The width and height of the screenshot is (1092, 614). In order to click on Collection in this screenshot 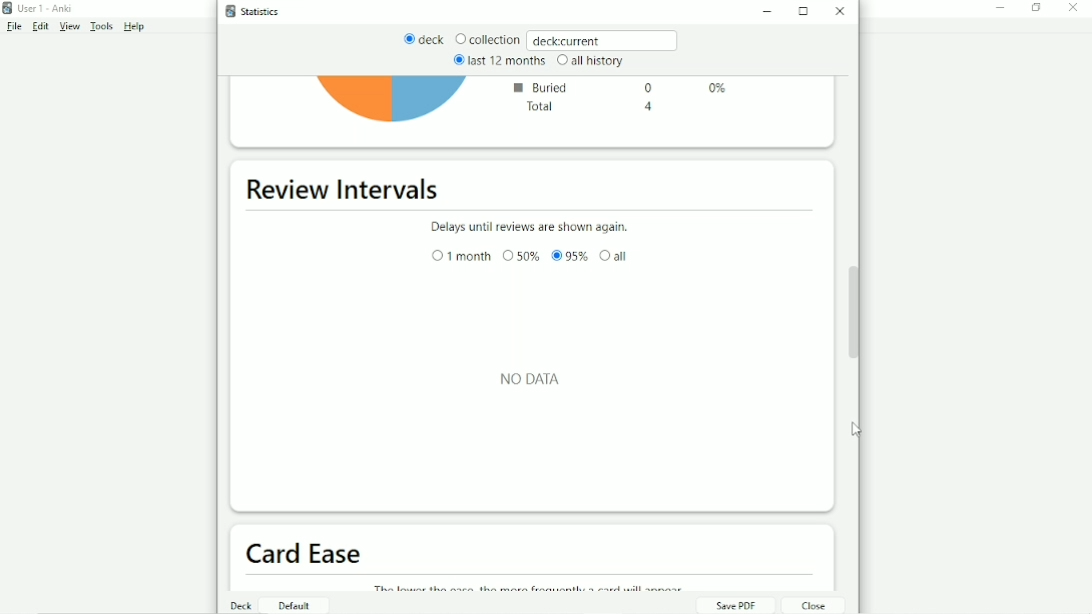, I will do `click(487, 40)`.